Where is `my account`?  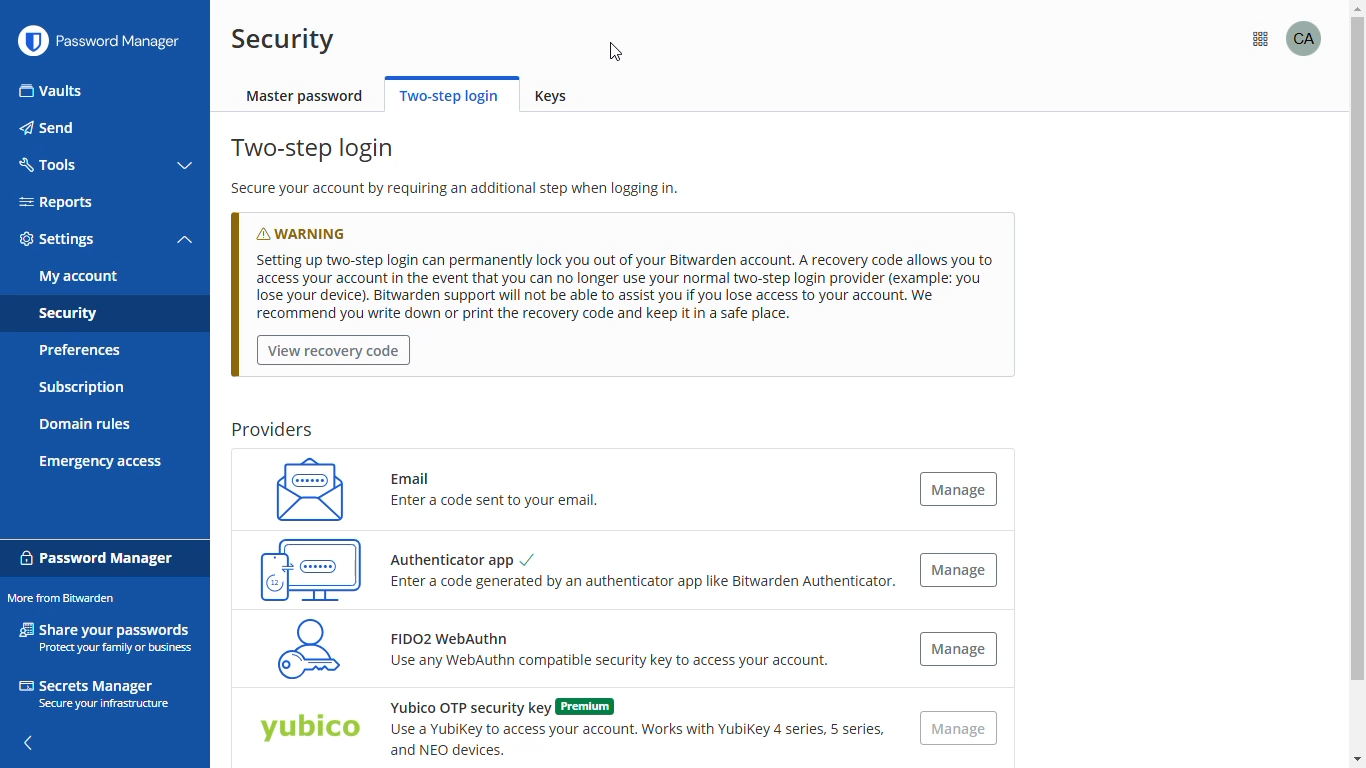 my account is located at coordinates (79, 276).